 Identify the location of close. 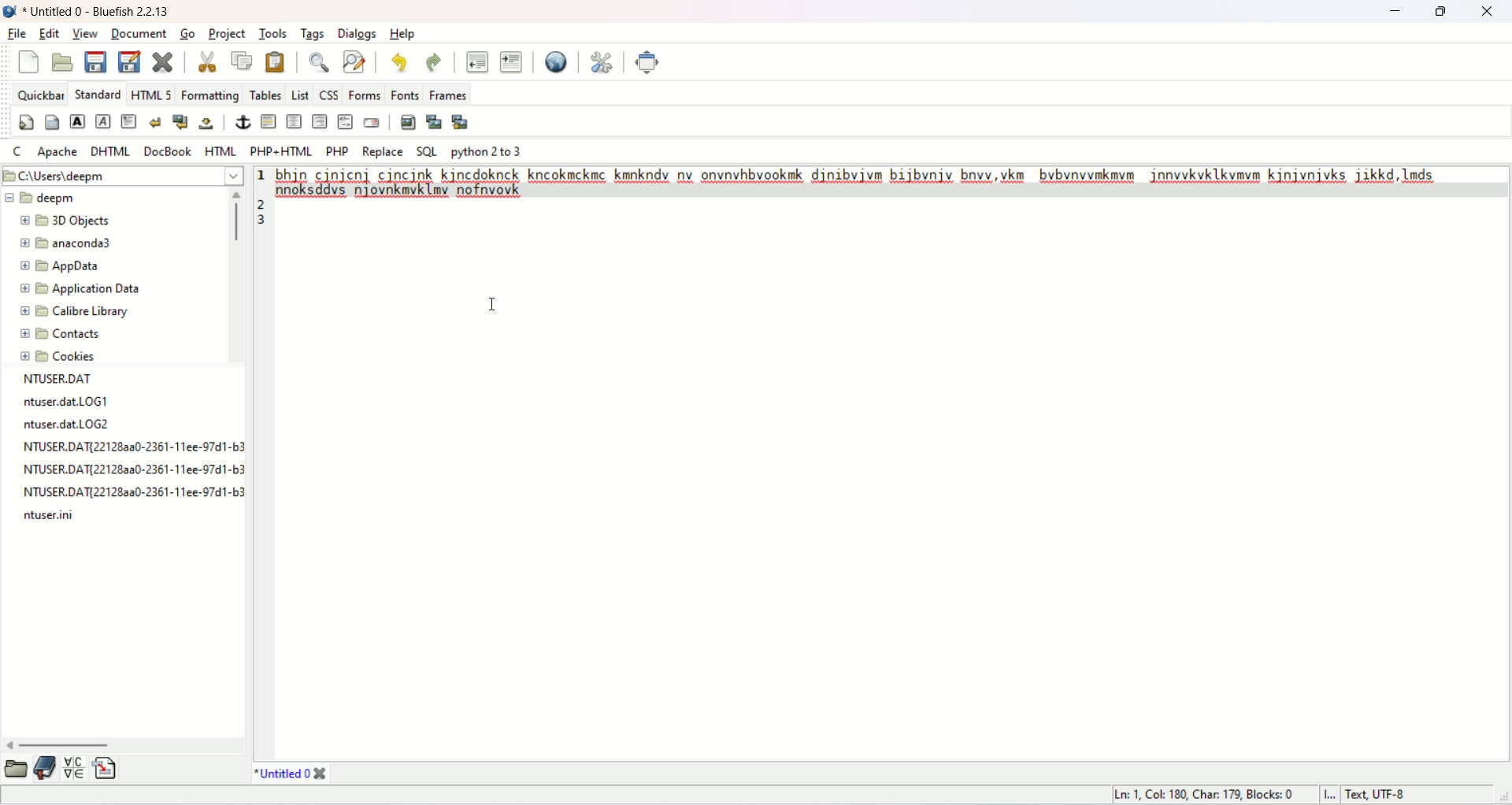
(1488, 12).